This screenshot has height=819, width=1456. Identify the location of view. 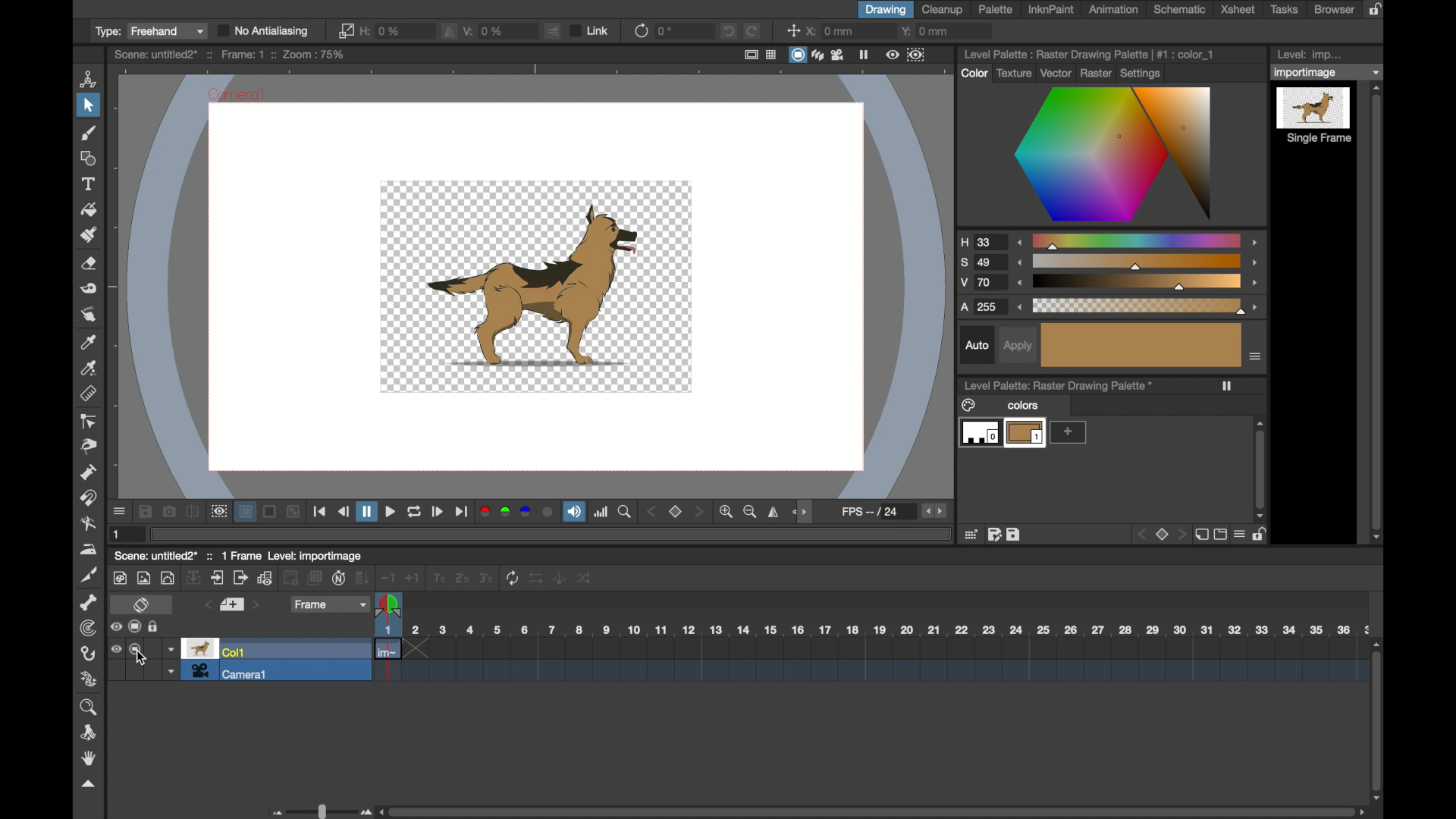
(892, 55).